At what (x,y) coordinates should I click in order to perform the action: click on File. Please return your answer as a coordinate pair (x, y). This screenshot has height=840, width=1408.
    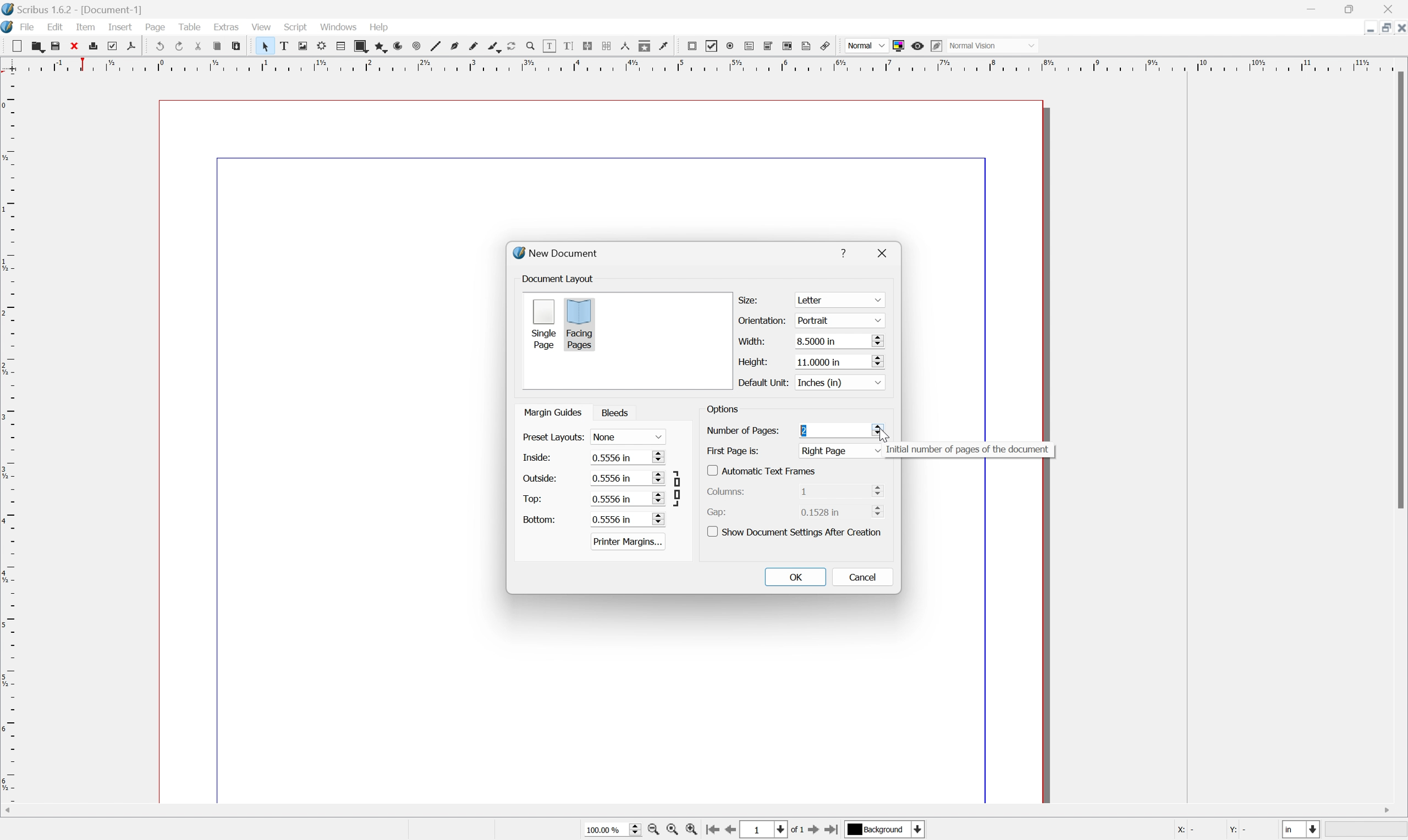
    Looking at the image, I should click on (29, 28).